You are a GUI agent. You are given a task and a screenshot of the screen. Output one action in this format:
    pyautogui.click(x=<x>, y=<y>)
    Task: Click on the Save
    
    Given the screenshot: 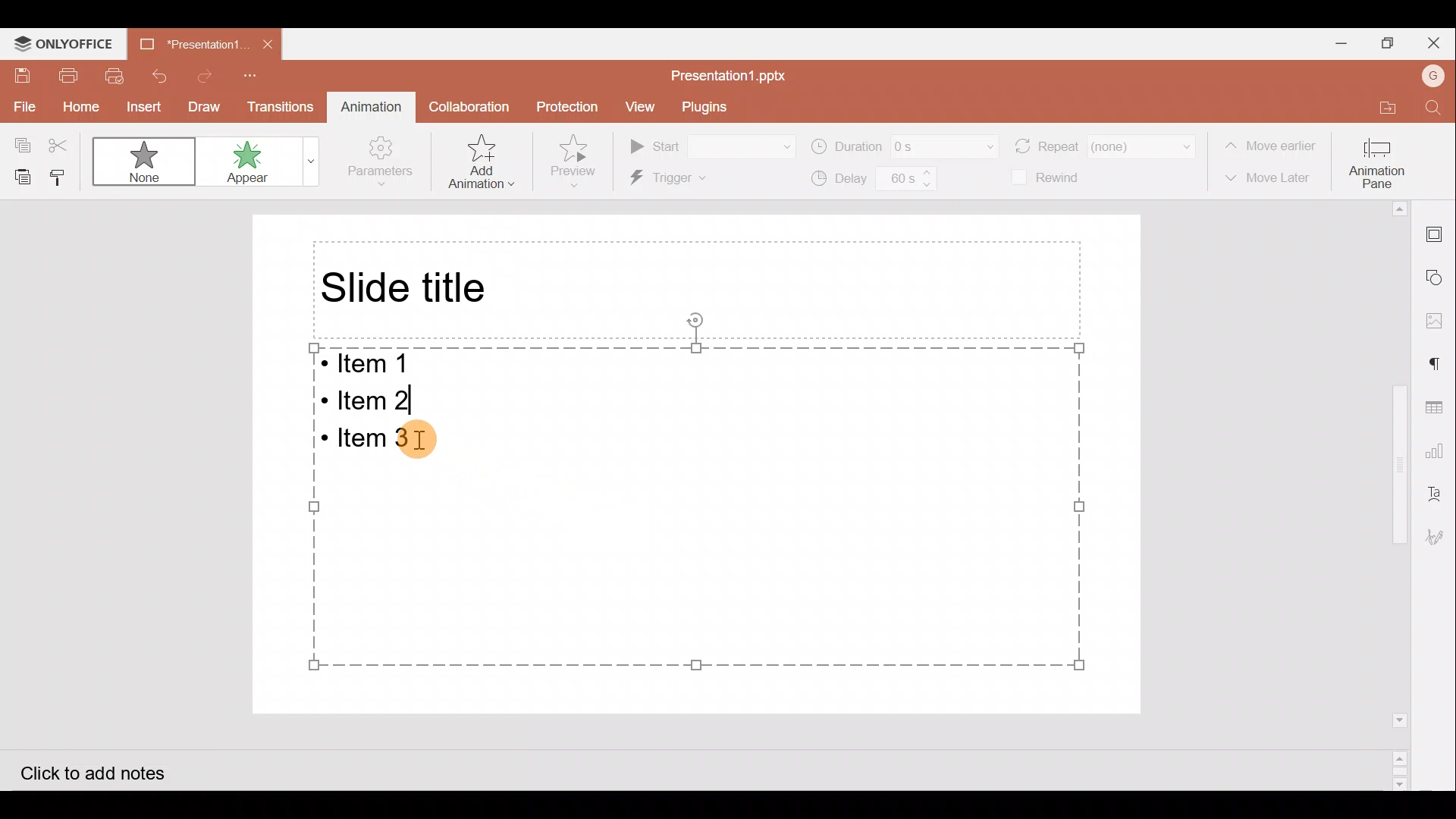 What is the action you would take?
    pyautogui.click(x=21, y=76)
    